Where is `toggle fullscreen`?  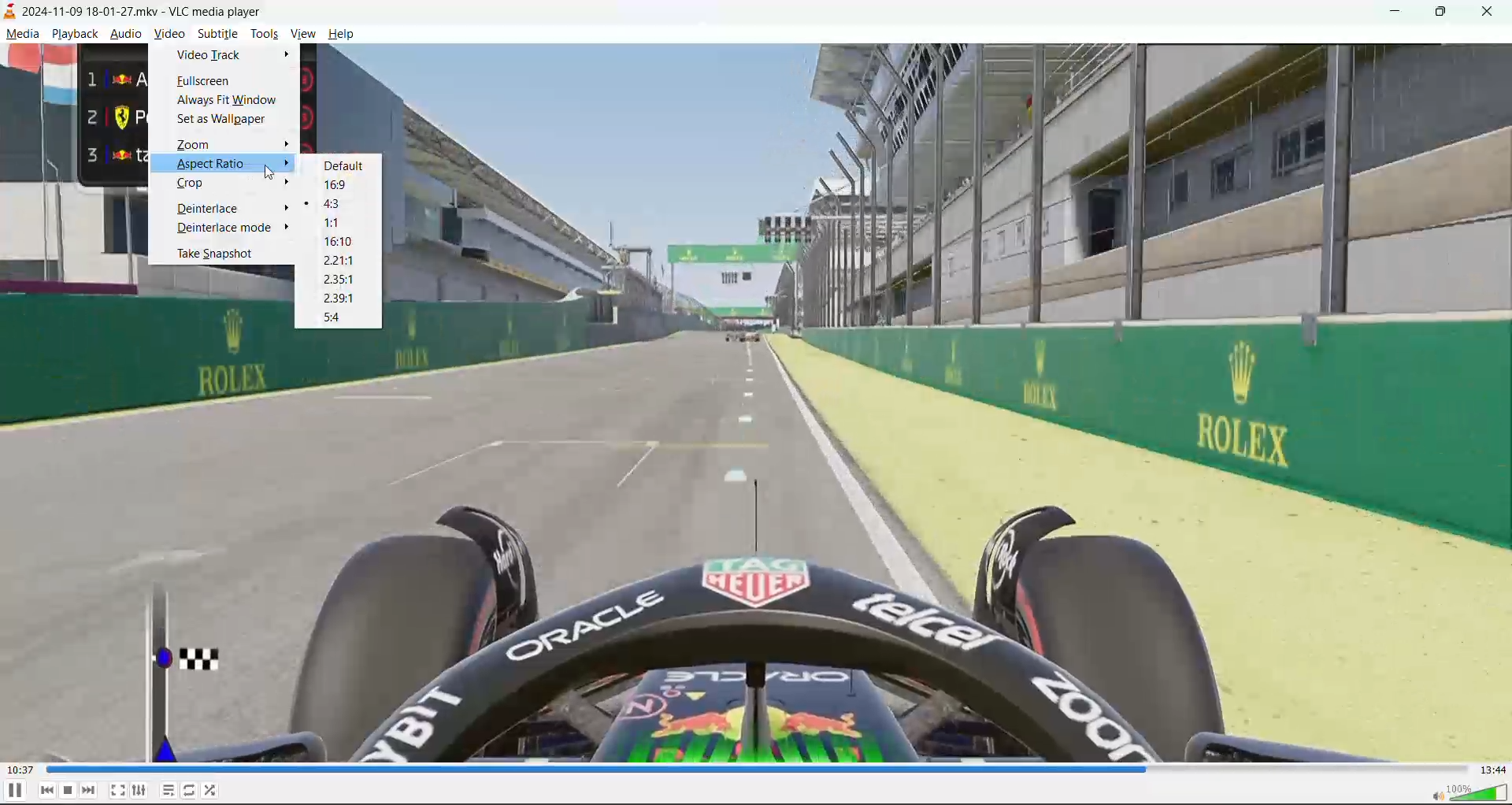
toggle fullscreen is located at coordinates (117, 788).